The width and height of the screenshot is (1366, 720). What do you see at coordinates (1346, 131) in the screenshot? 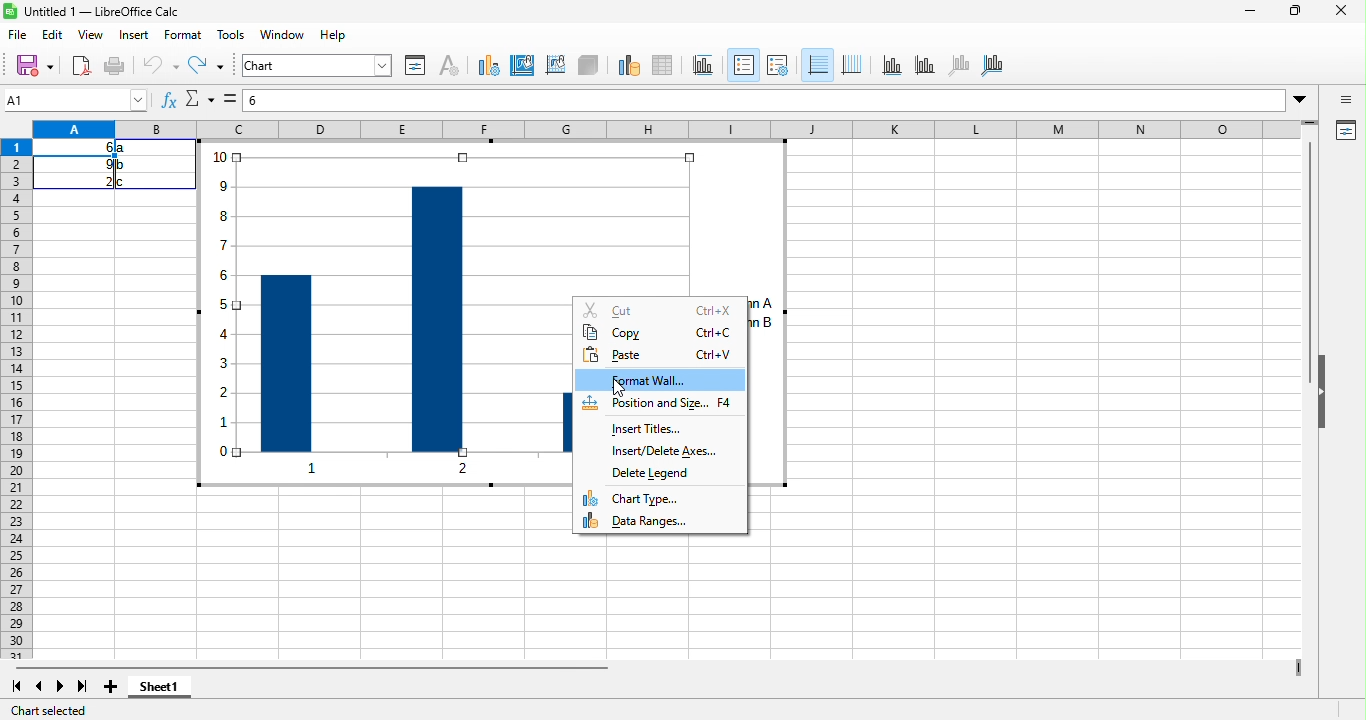
I see `properties` at bounding box center [1346, 131].